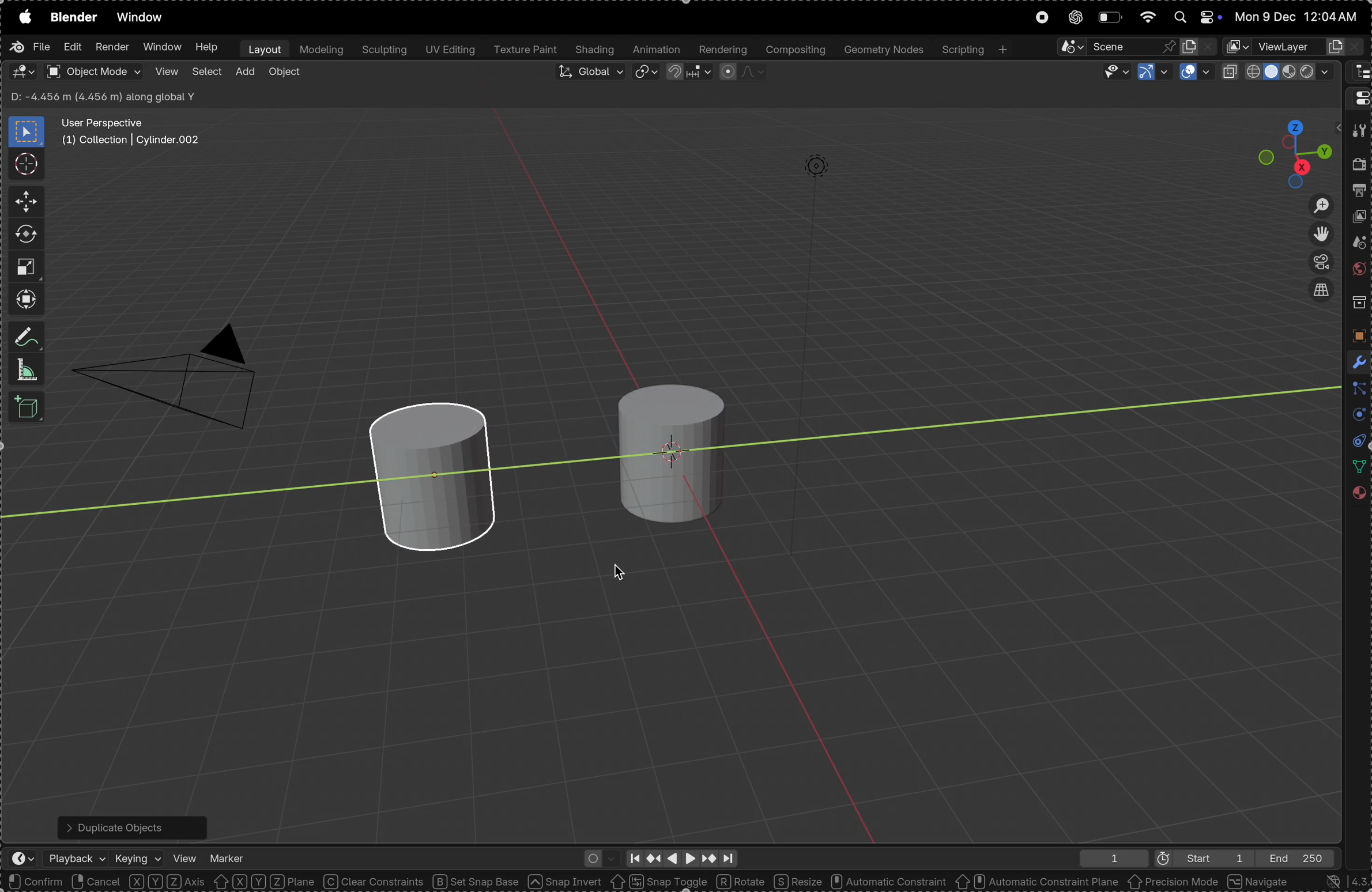 The image size is (1372, 892). What do you see at coordinates (658, 881) in the screenshot?
I see `snap toggle` at bounding box center [658, 881].